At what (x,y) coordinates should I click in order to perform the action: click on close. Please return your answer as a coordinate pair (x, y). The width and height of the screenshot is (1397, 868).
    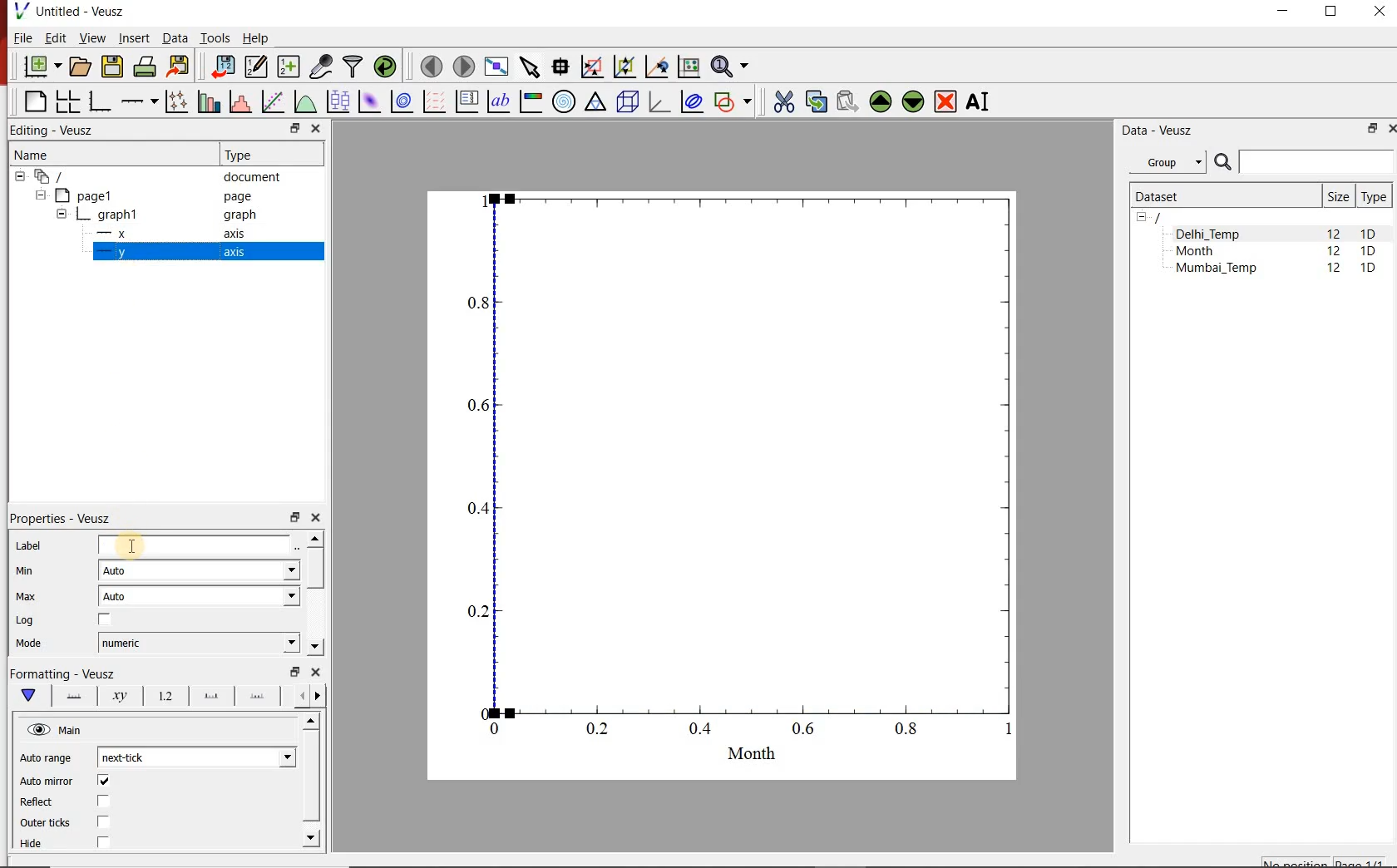
    Looking at the image, I should click on (315, 672).